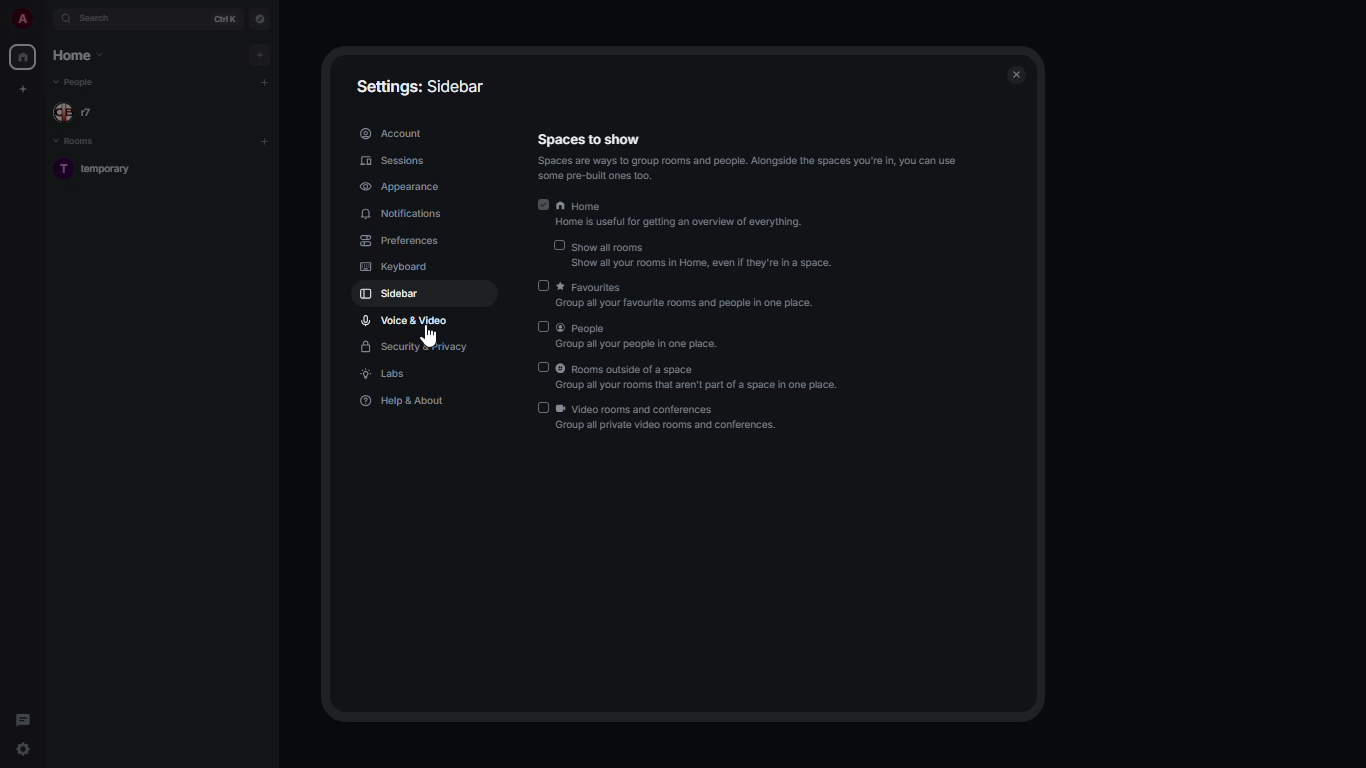  What do you see at coordinates (641, 337) in the screenshot?
I see `people` at bounding box center [641, 337].